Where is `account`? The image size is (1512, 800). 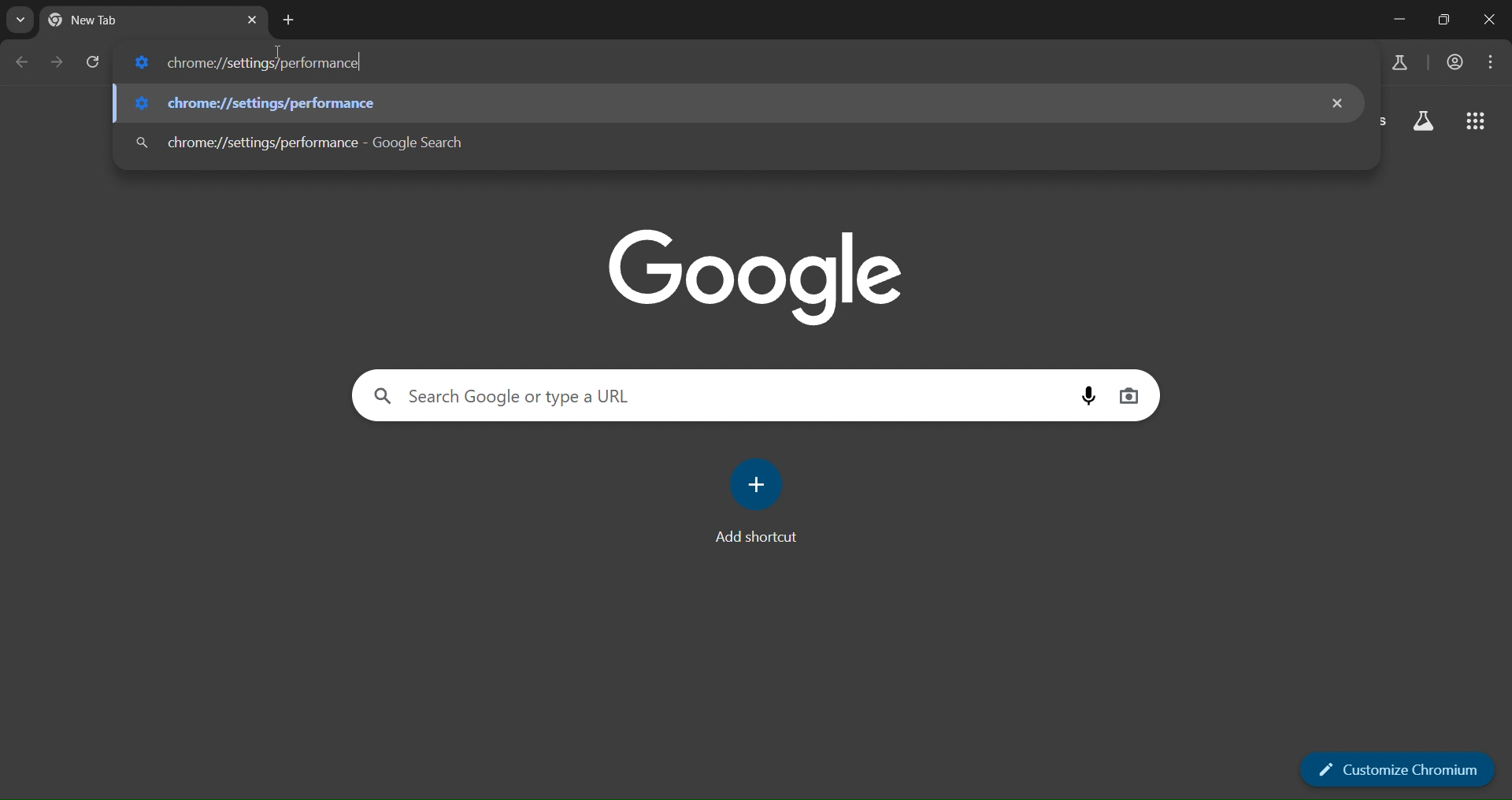 account is located at coordinates (1456, 62).